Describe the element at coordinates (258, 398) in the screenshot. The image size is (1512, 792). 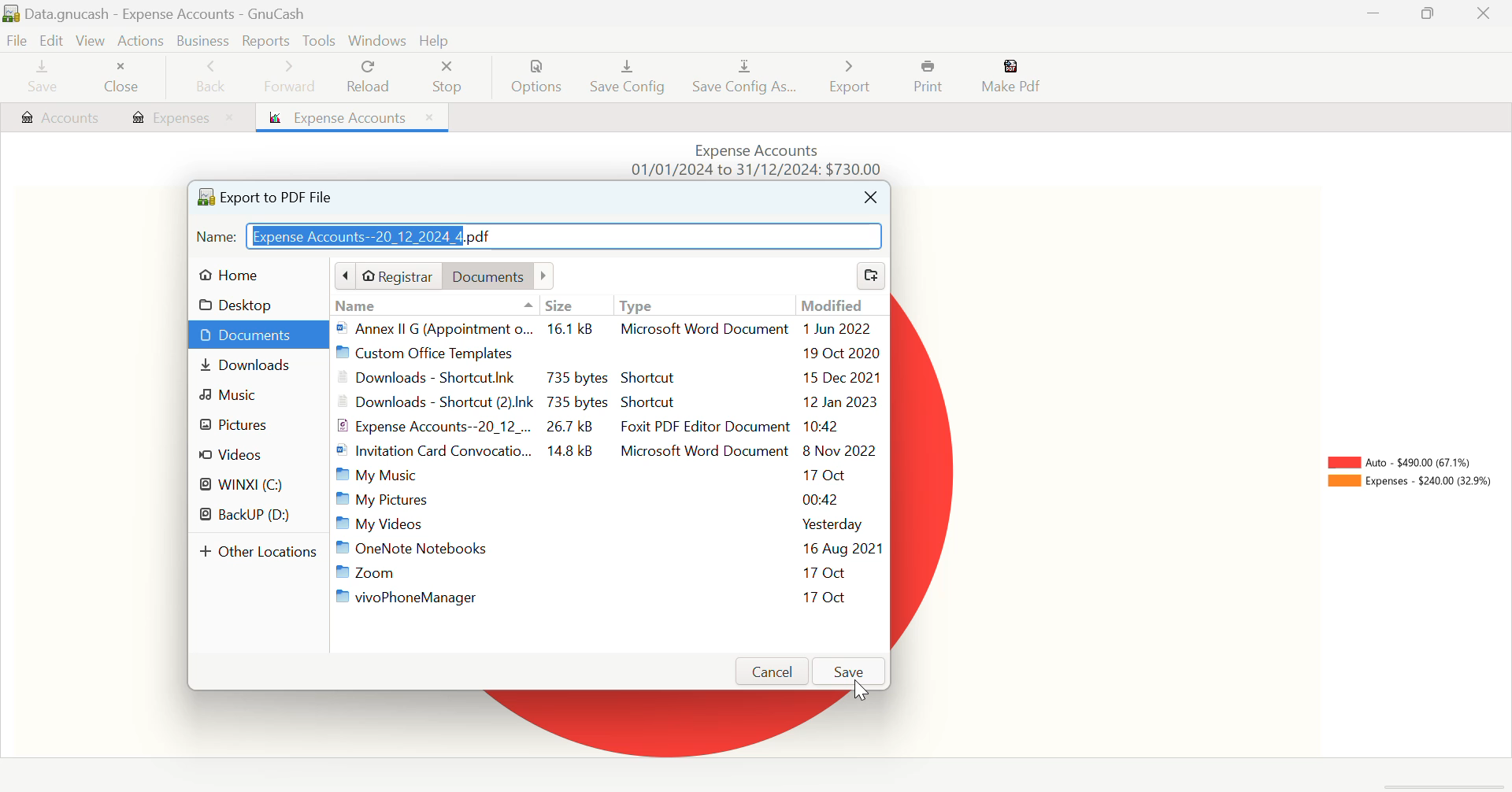
I see `Music` at that location.